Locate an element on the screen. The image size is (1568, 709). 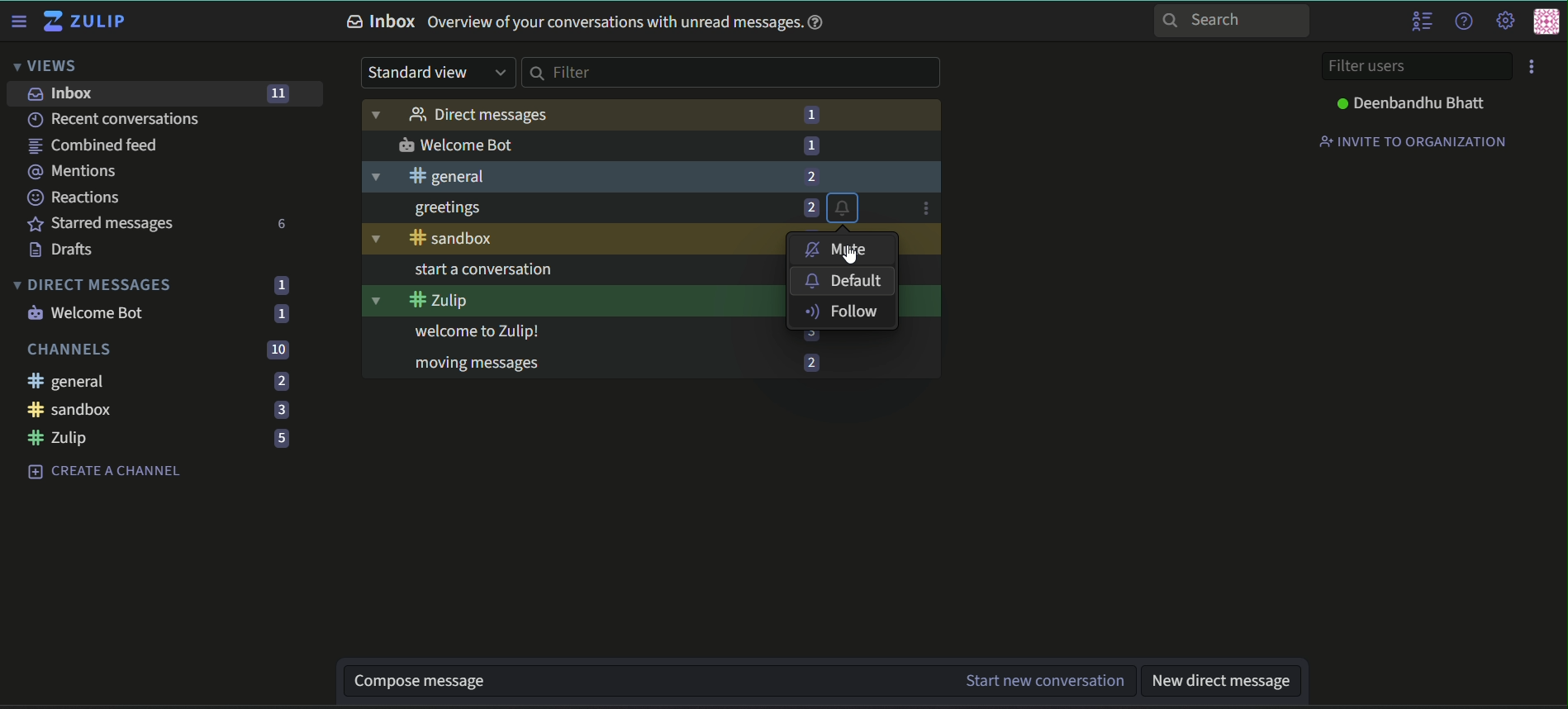
Channels is located at coordinates (69, 350).